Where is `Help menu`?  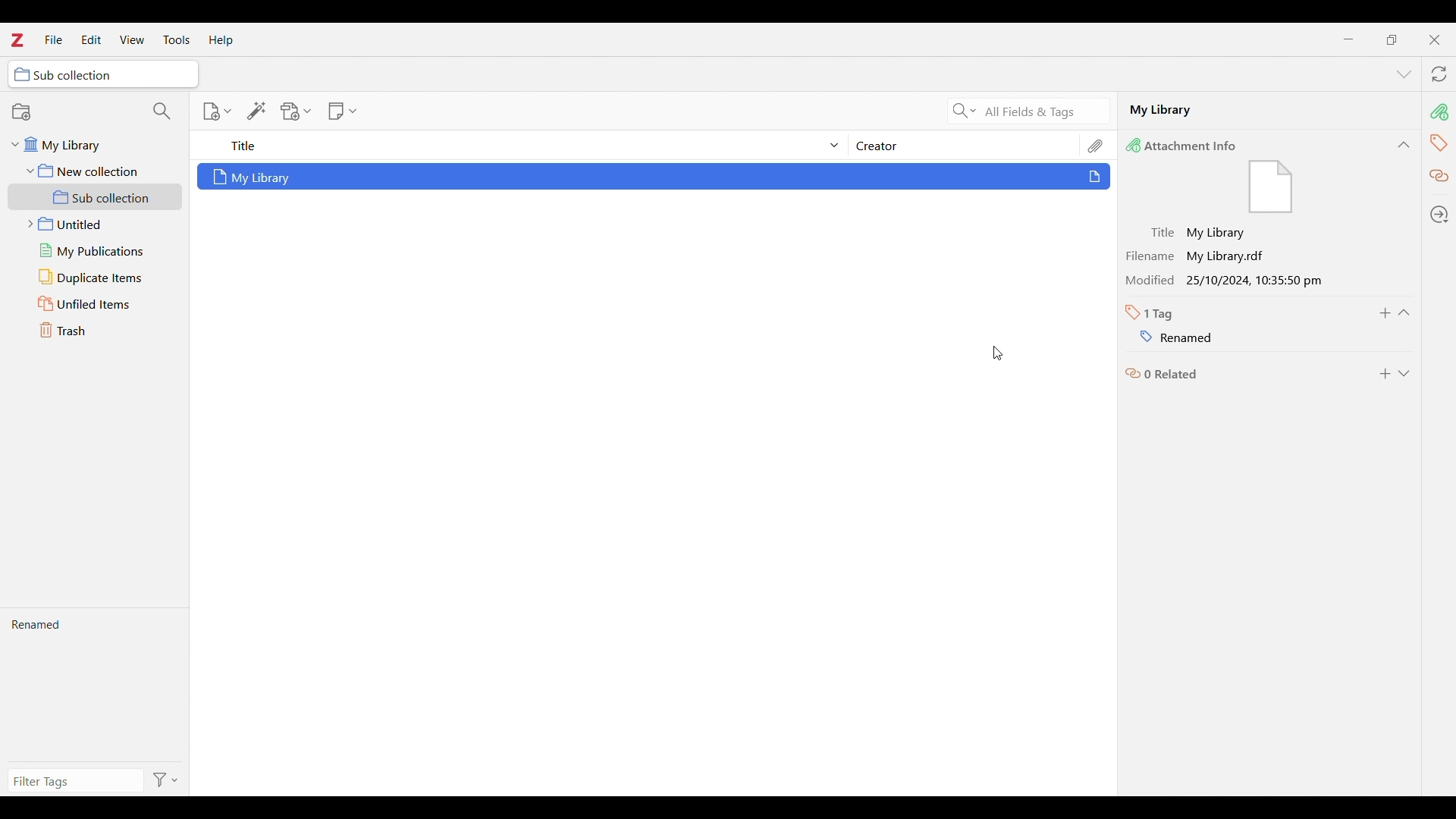
Help menu is located at coordinates (221, 40).